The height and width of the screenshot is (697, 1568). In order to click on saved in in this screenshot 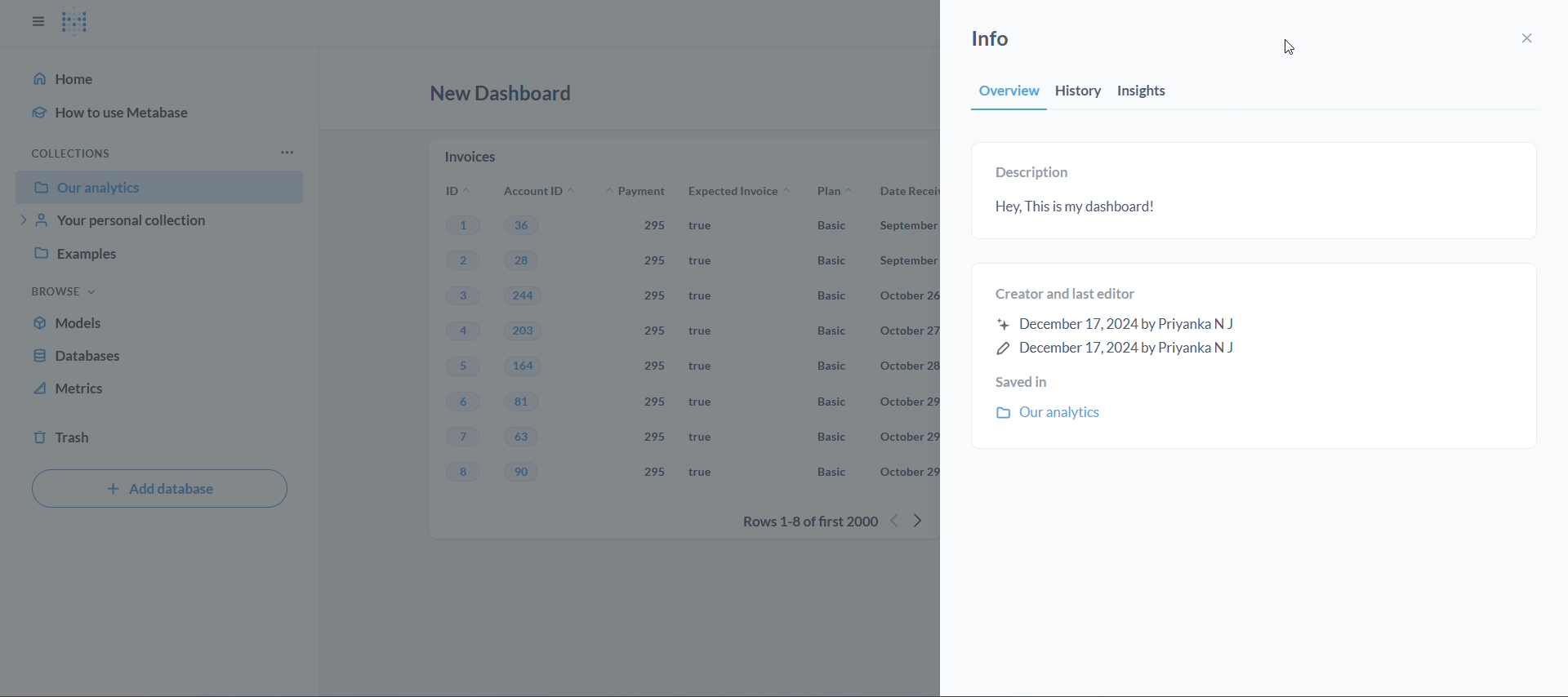, I will do `click(1048, 381)`.